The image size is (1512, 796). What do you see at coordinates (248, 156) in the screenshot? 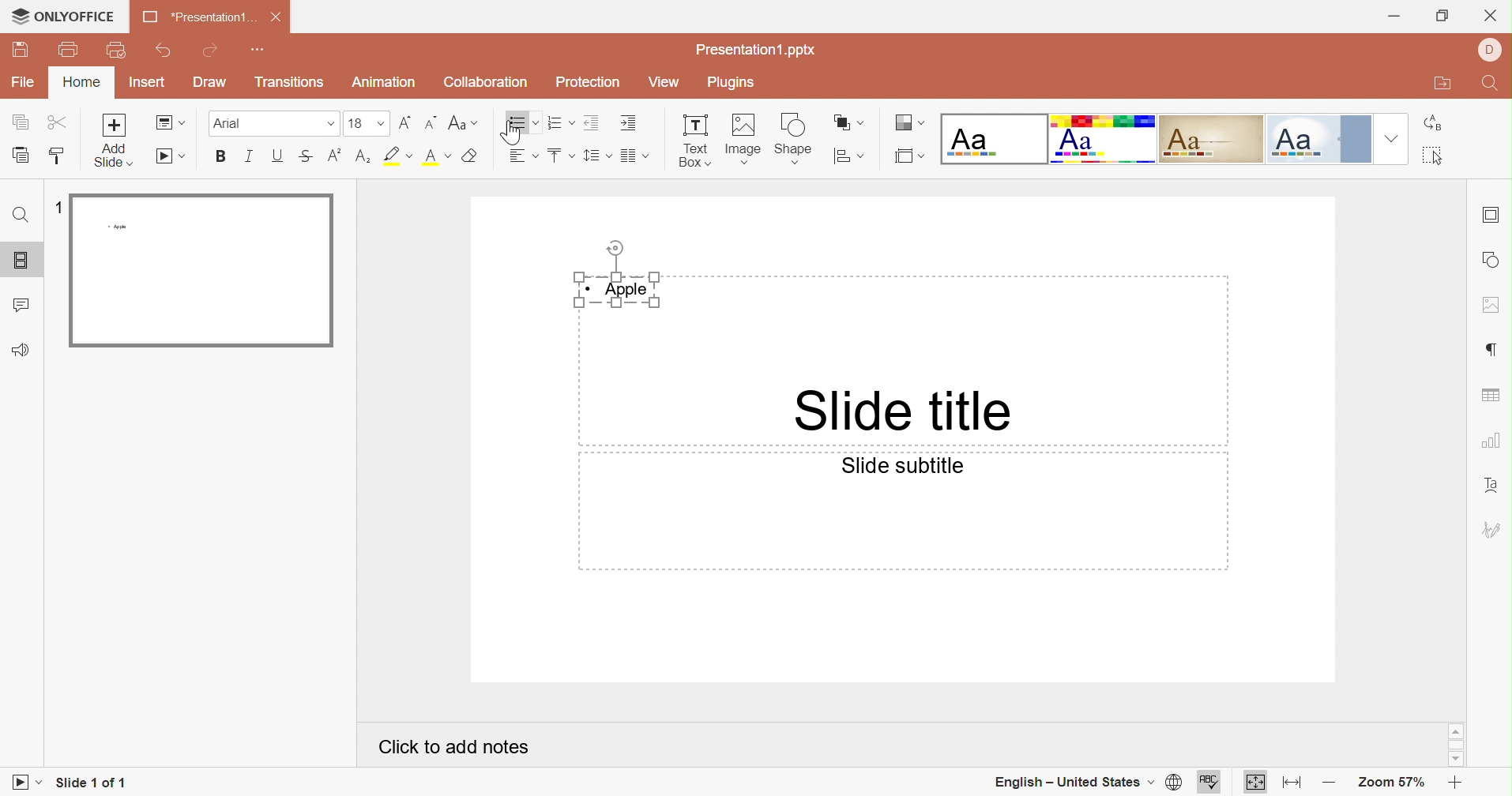
I see `Italic` at bounding box center [248, 156].